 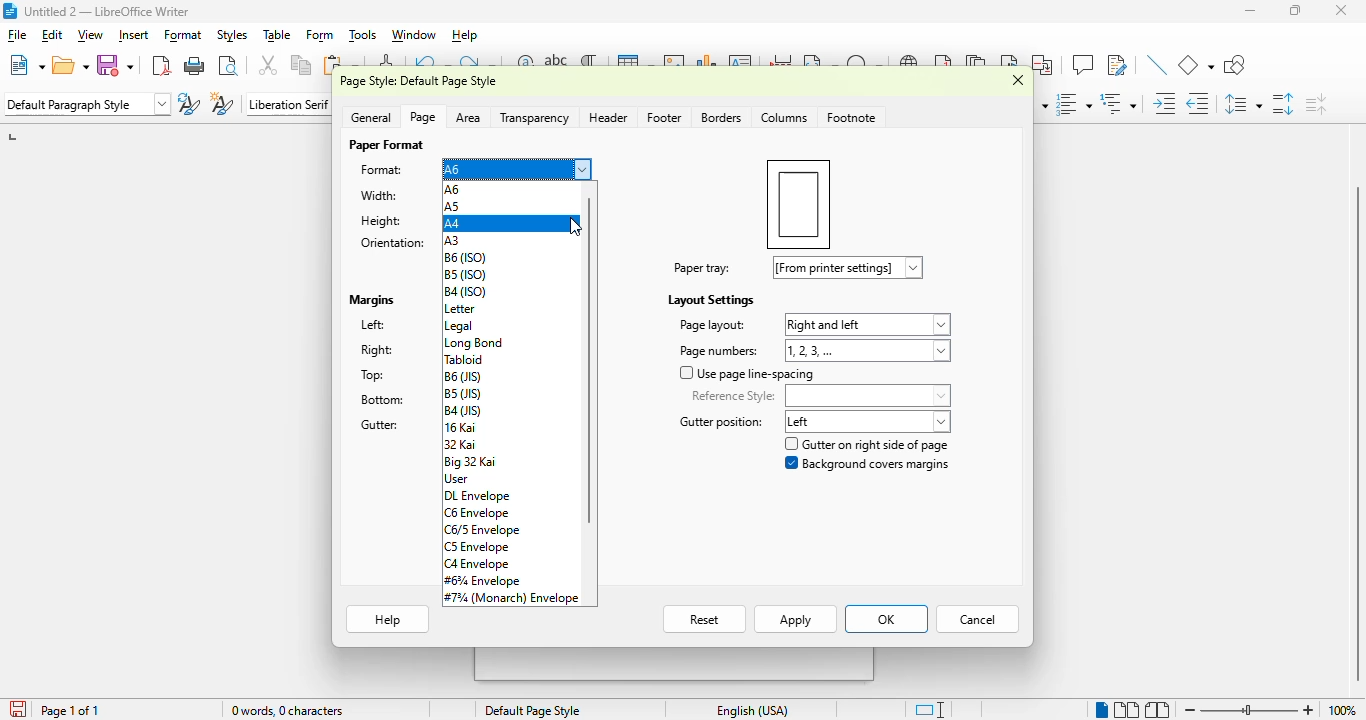 I want to click on reset, so click(x=705, y=619).